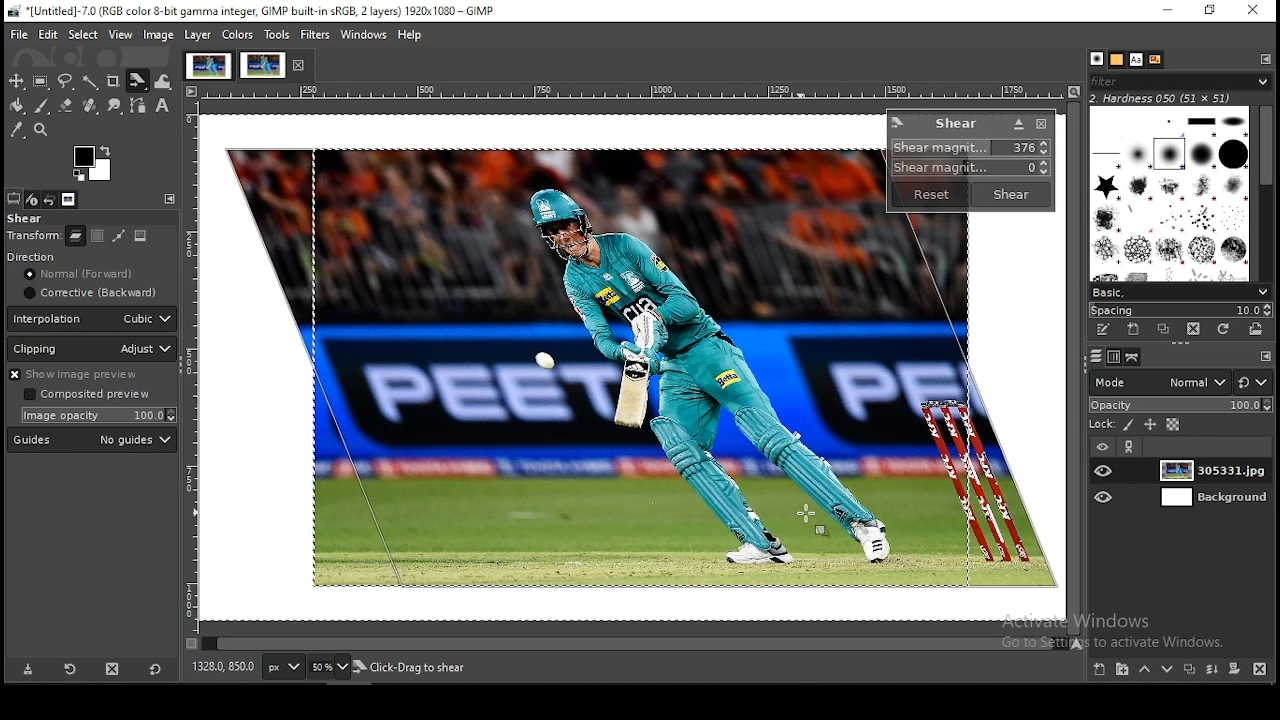 The height and width of the screenshot is (720, 1280). Describe the element at coordinates (365, 35) in the screenshot. I see `windows` at that location.